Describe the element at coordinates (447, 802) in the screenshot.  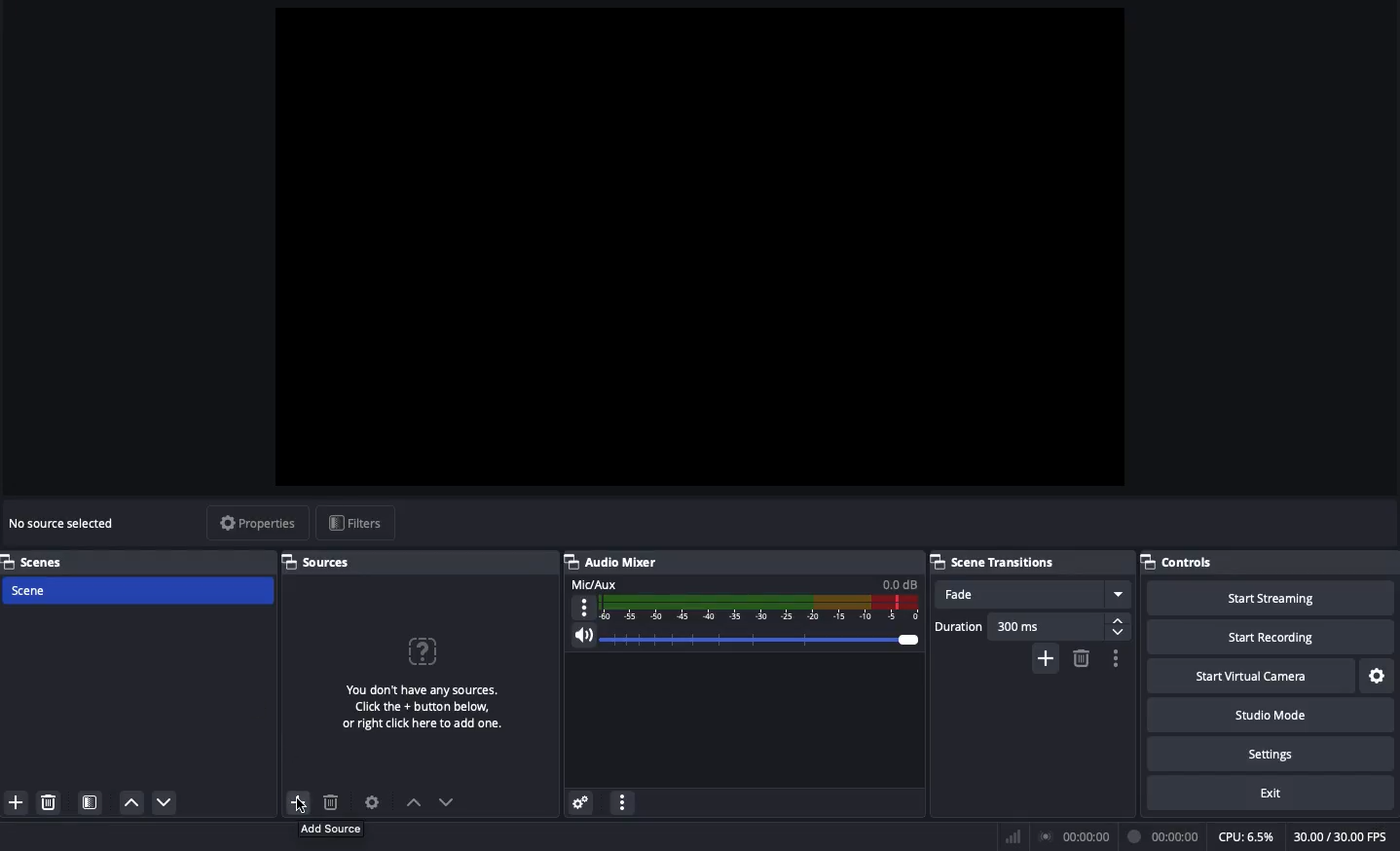
I see `Move down` at that location.